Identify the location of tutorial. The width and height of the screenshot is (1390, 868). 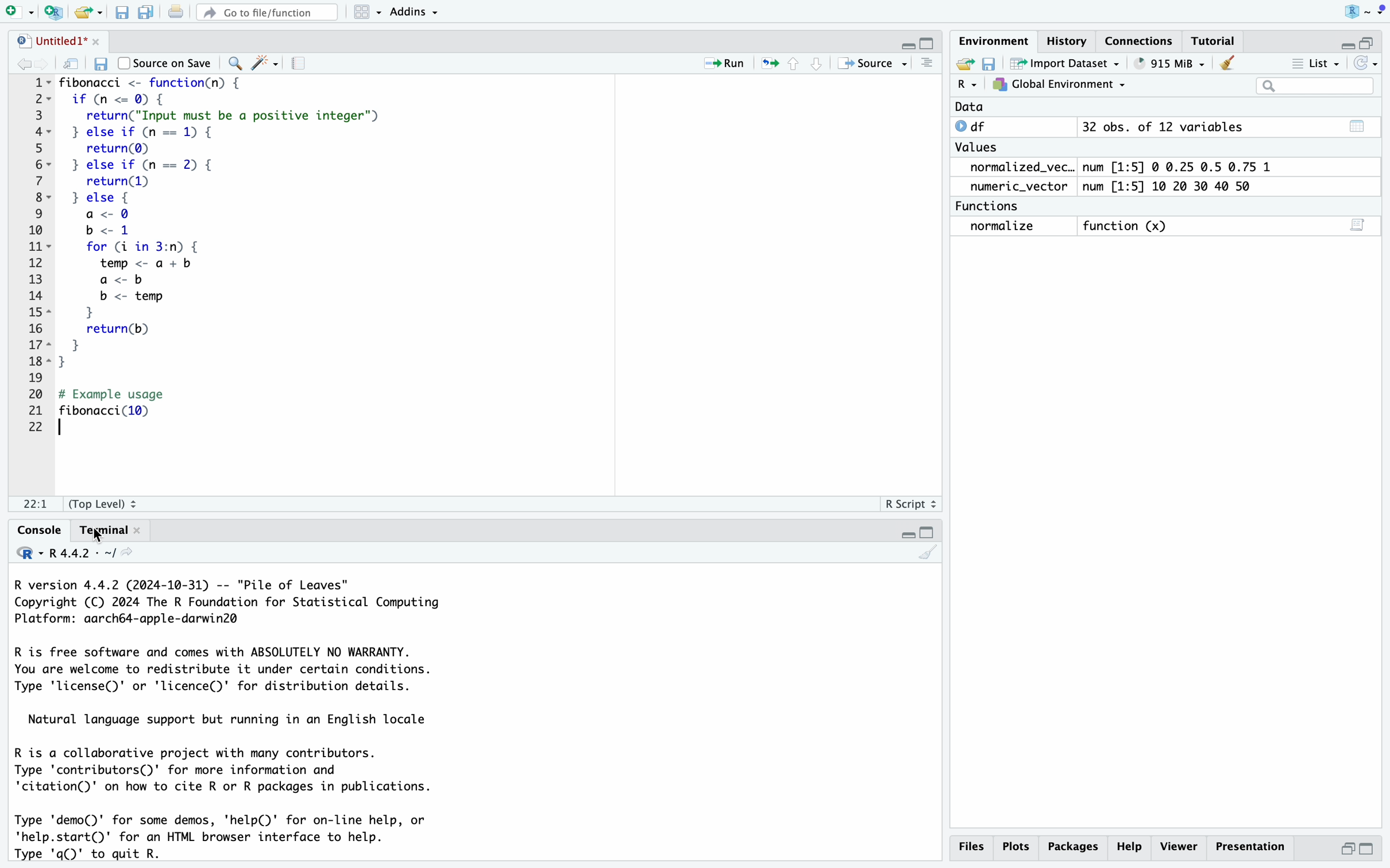
(1218, 38).